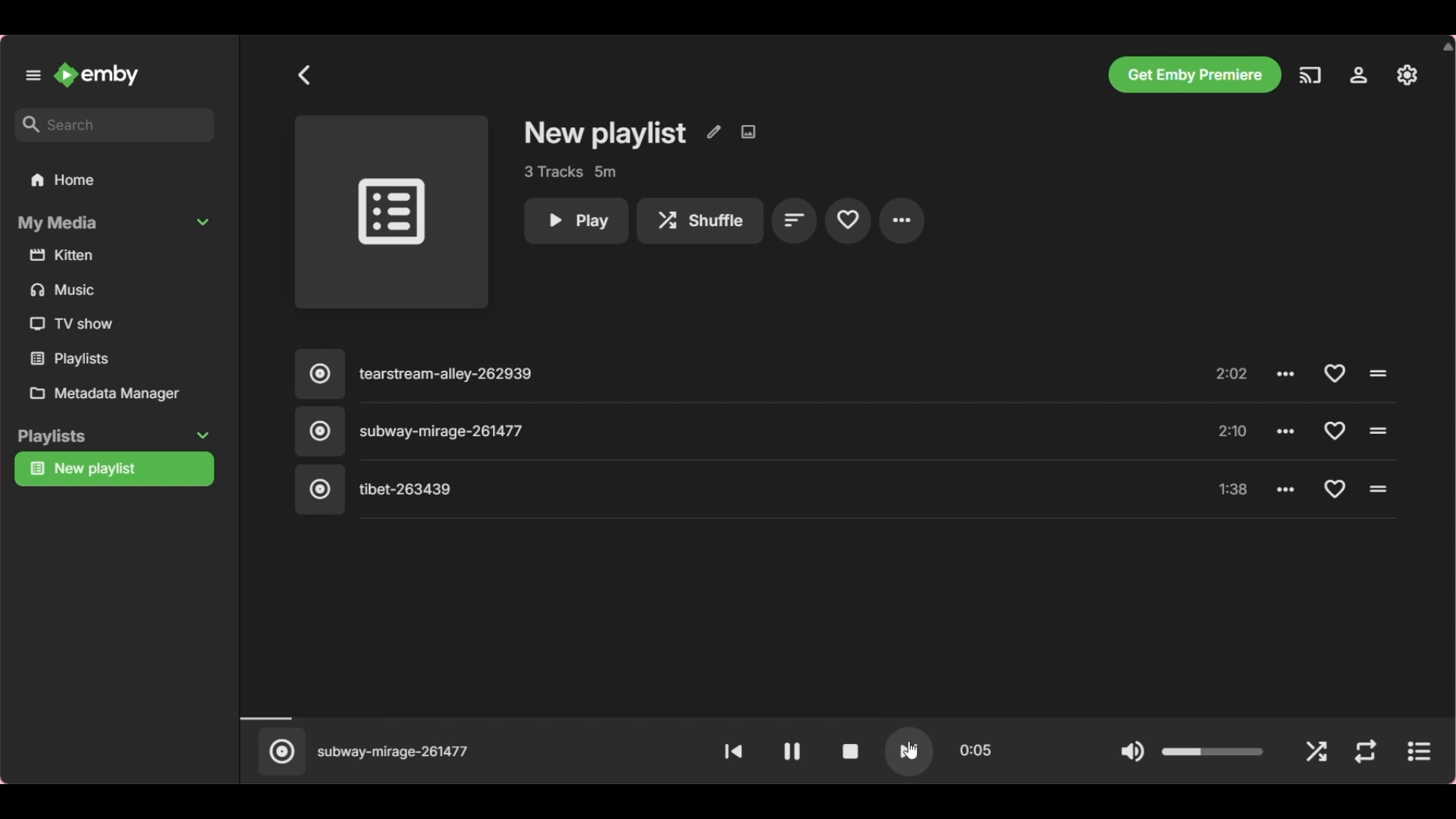 The width and height of the screenshot is (1456, 819). Describe the element at coordinates (747, 132) in the screenshot. I see `Edit image` at that location.